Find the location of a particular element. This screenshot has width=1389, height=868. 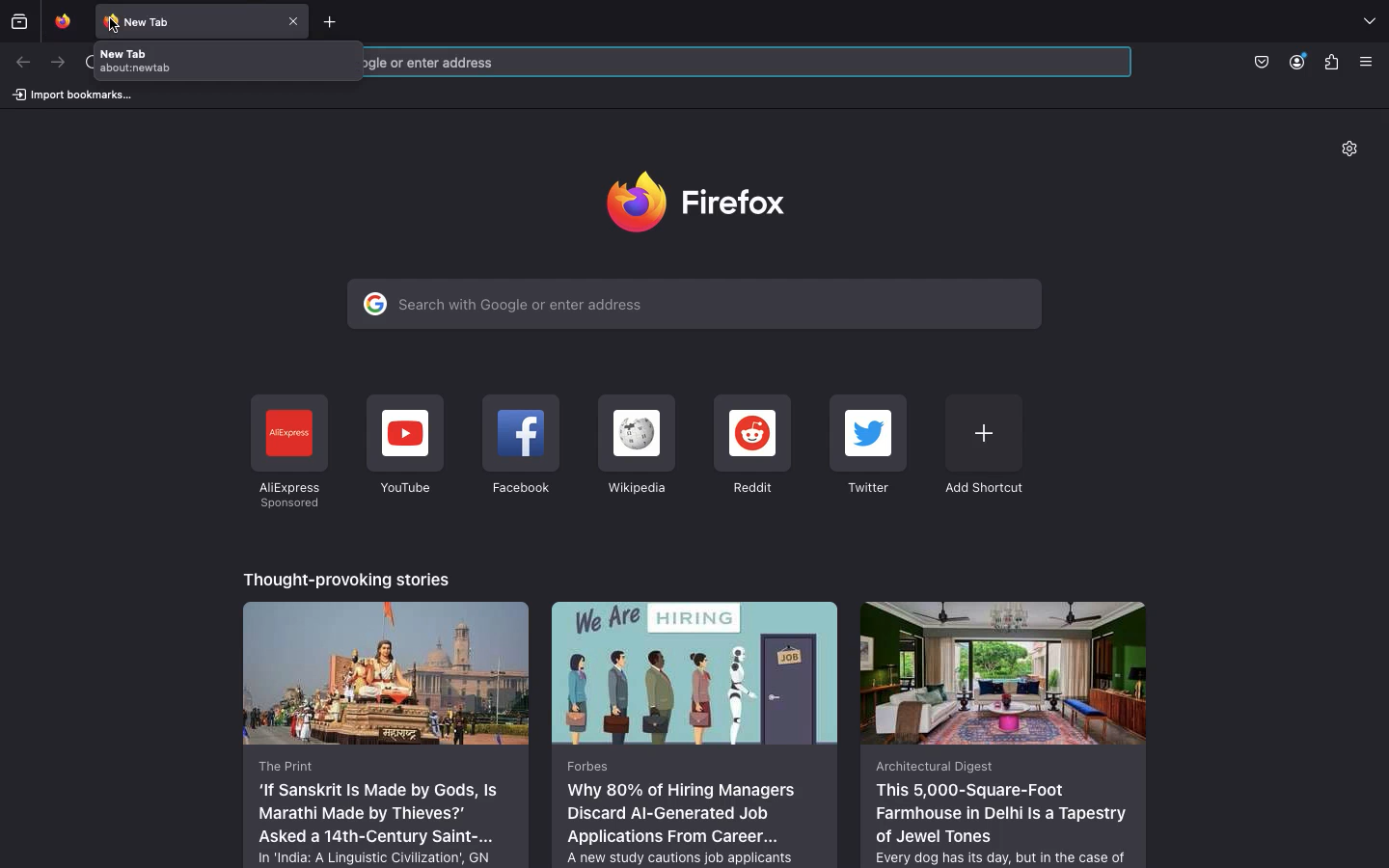

Forbes

‘Why 80% of Hiring Managers
Discard Al-Generated Job
Applications From Career...

A new study cautions job applicants is located at coordinates (696, 733).